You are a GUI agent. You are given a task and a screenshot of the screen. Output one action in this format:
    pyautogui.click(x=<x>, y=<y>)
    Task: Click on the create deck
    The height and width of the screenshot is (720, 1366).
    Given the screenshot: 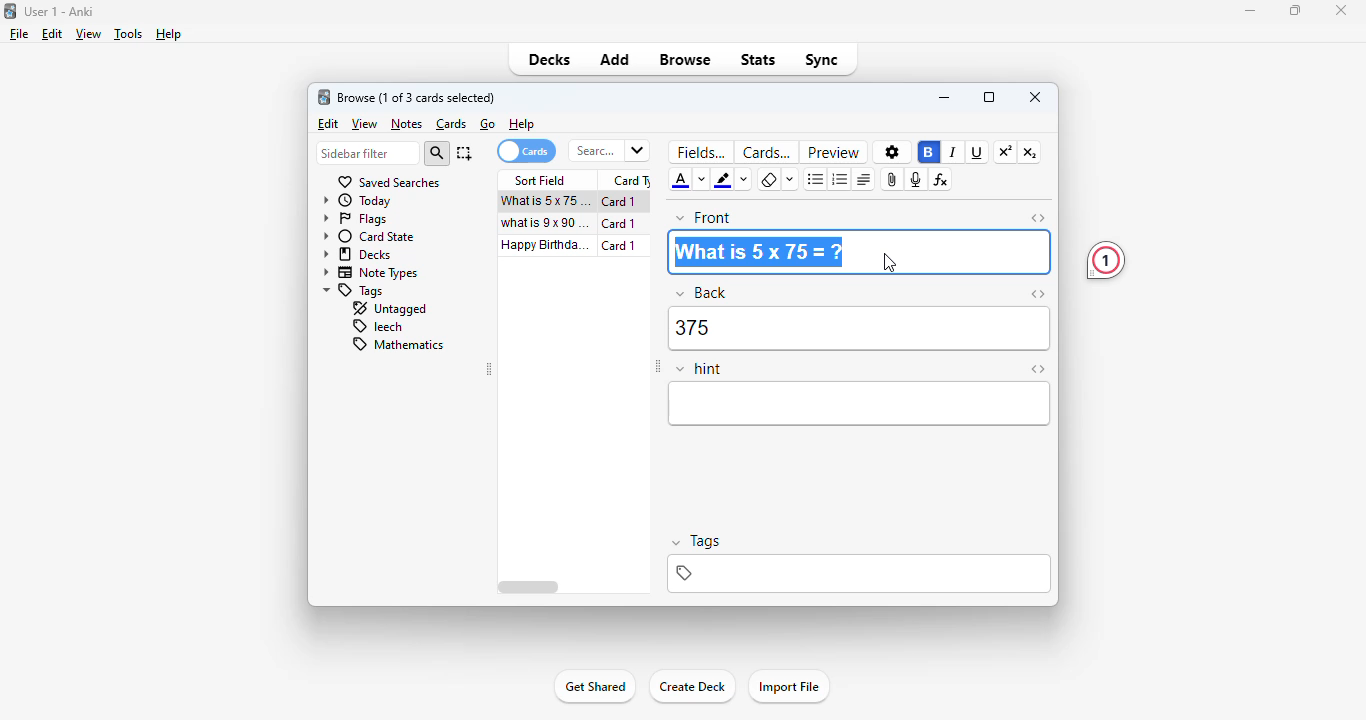 What is the action you would take?
    pyautogui.click(x=692, y=687)
    